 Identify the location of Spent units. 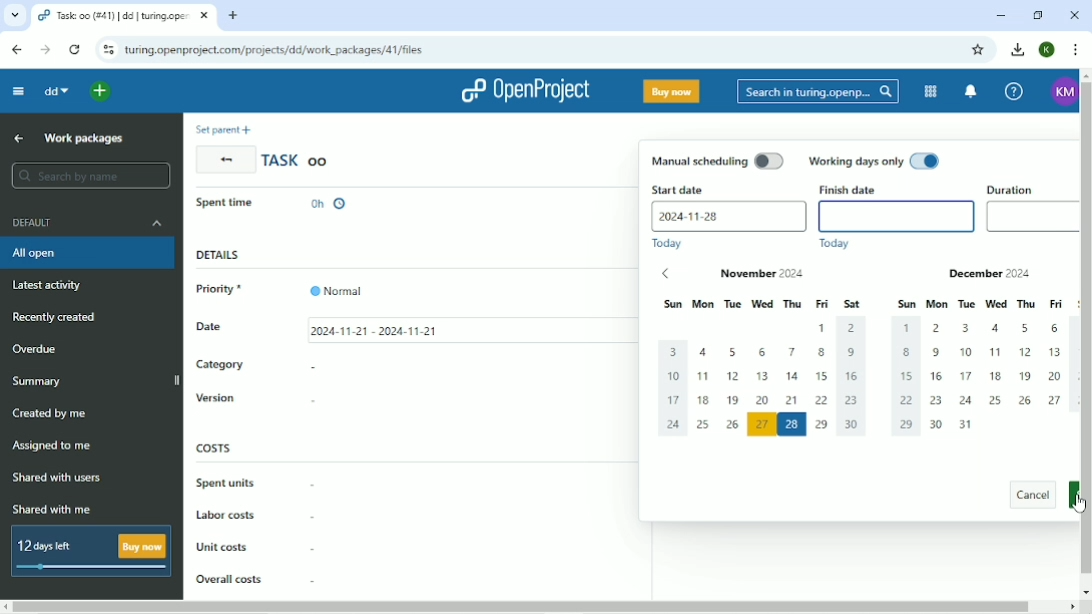
(225, 483).